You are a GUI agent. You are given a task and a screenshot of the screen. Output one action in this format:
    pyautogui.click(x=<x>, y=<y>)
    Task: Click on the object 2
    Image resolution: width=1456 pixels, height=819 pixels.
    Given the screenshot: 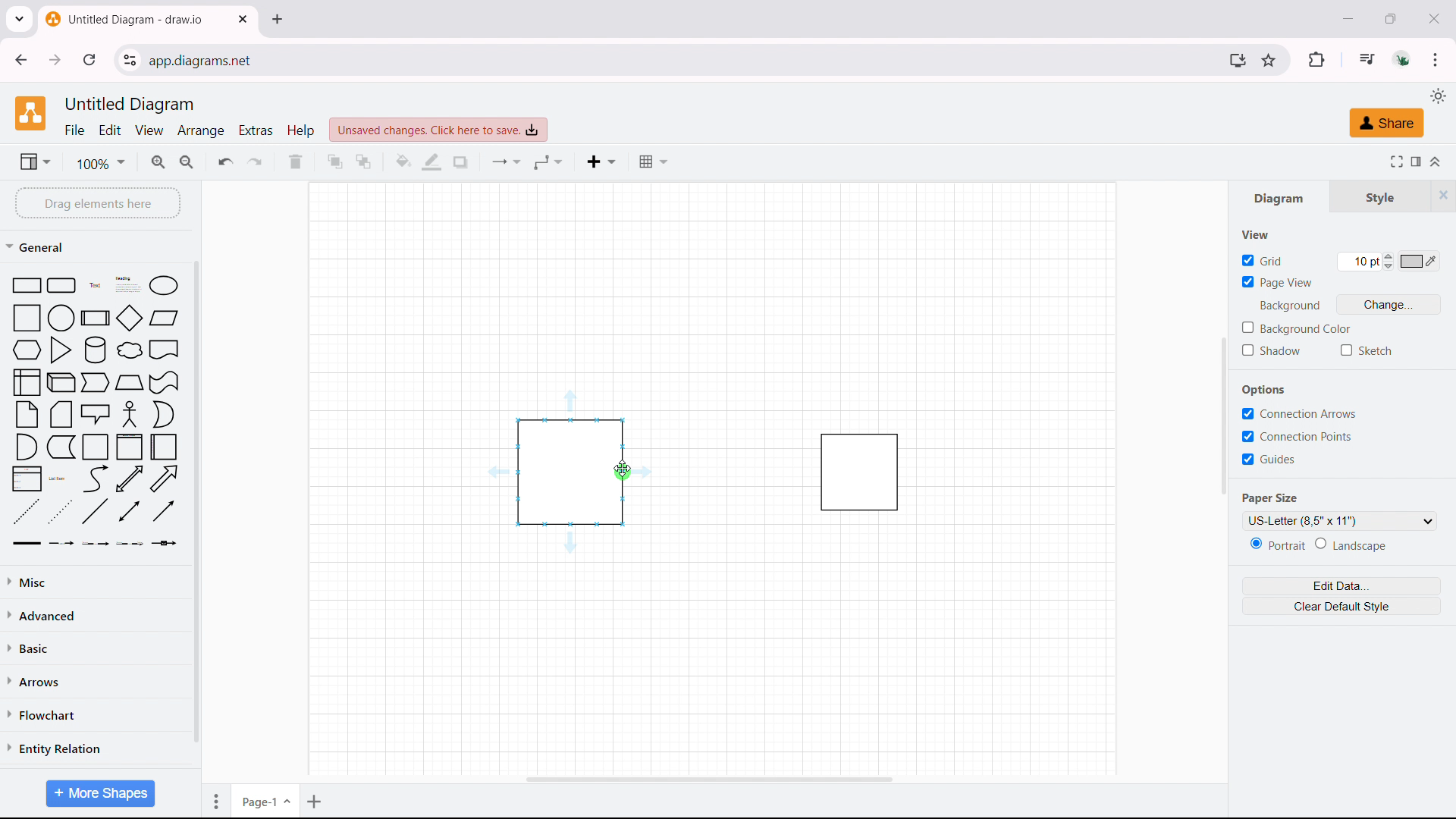 What is the action you would take?
    pyautogui.click(x=860, y=473)
    